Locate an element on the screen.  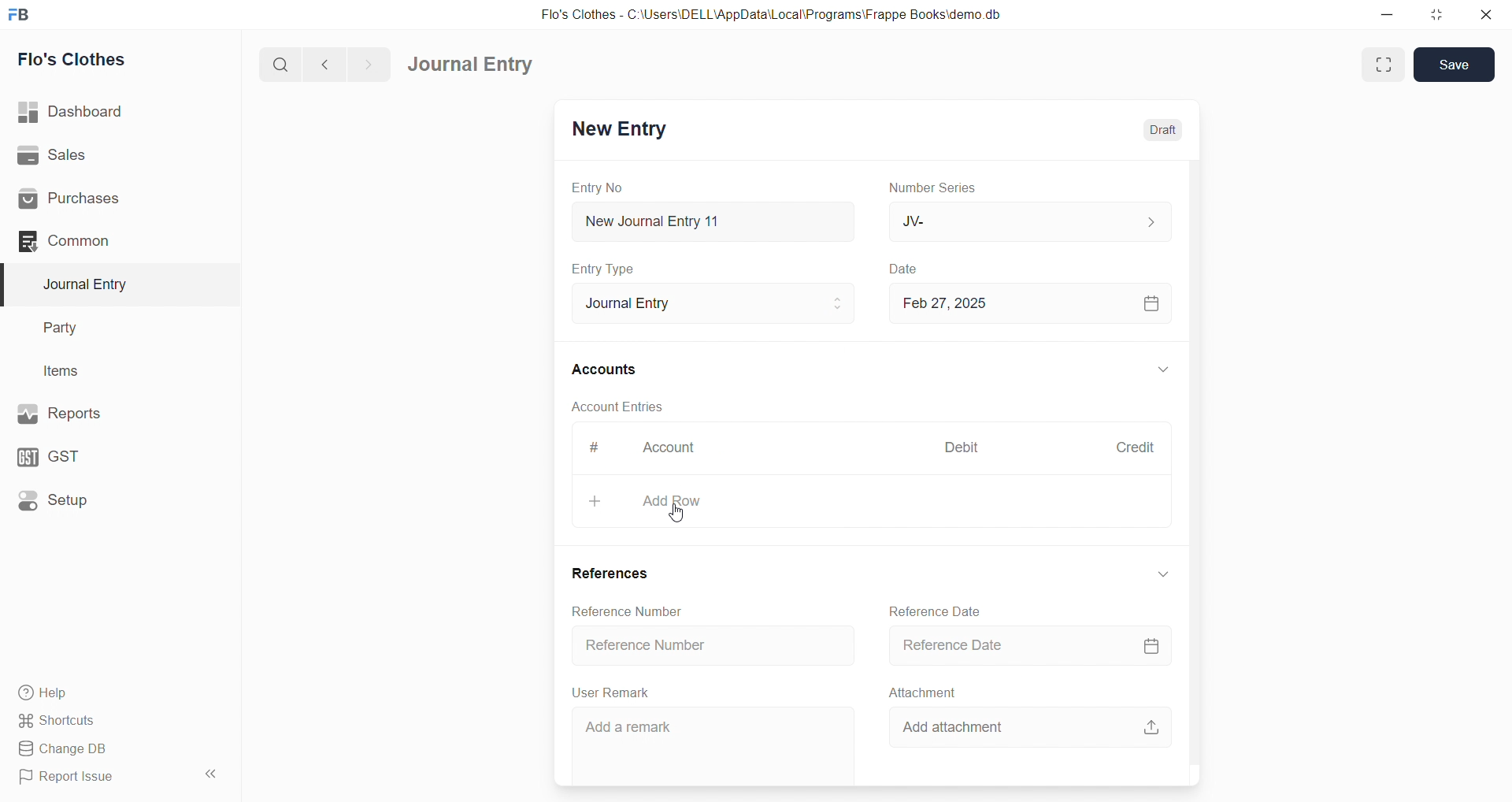
Reference Date is located at coordinates (935, 612).